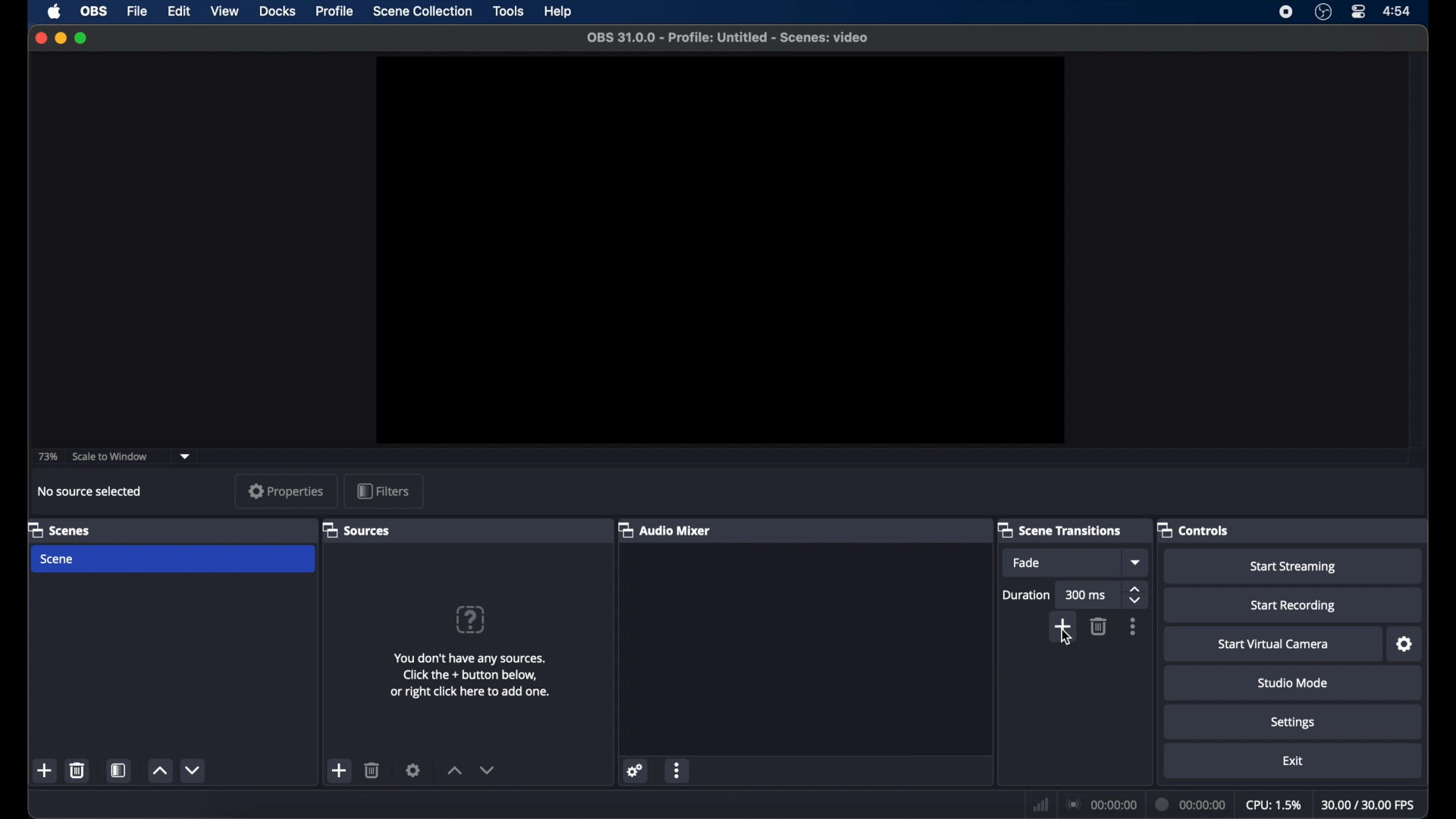 The height and width of the screenshot is (819, 1456). I want to click on scene filters, so click(118, 770).